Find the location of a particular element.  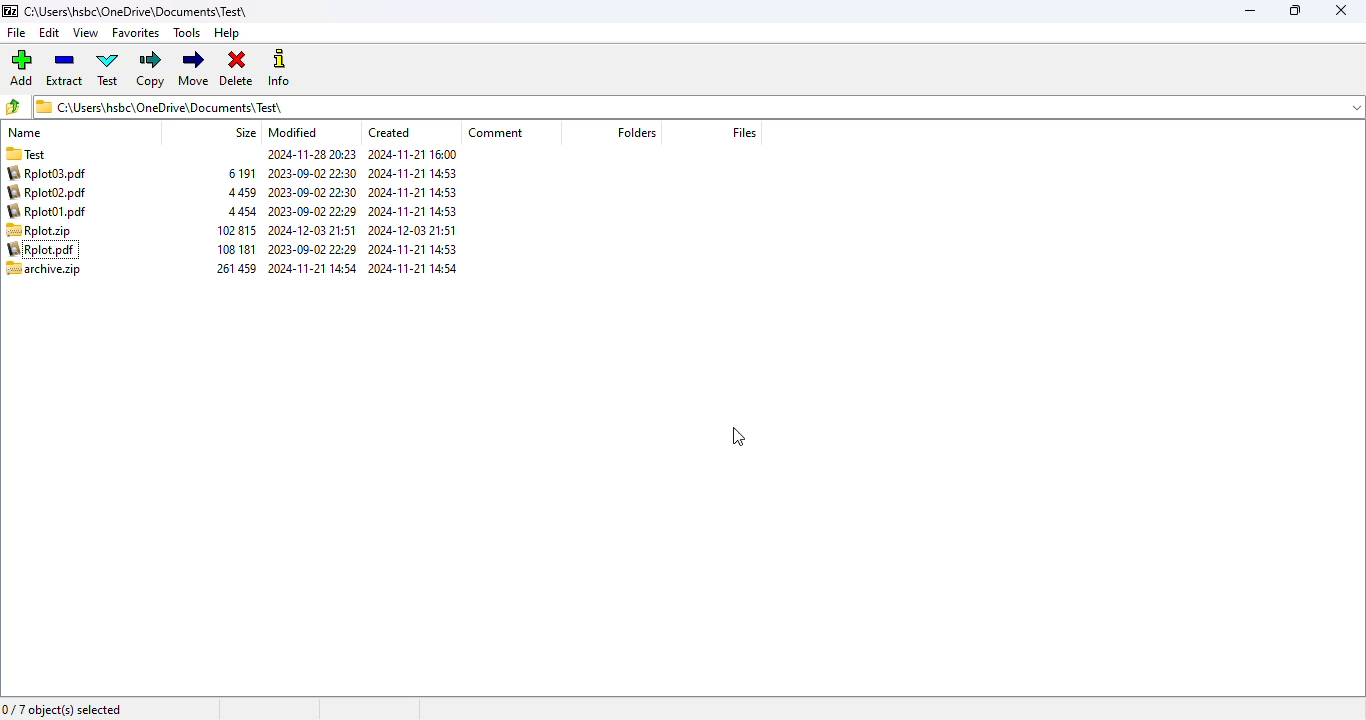

comment is located at coordinates (494, 132).